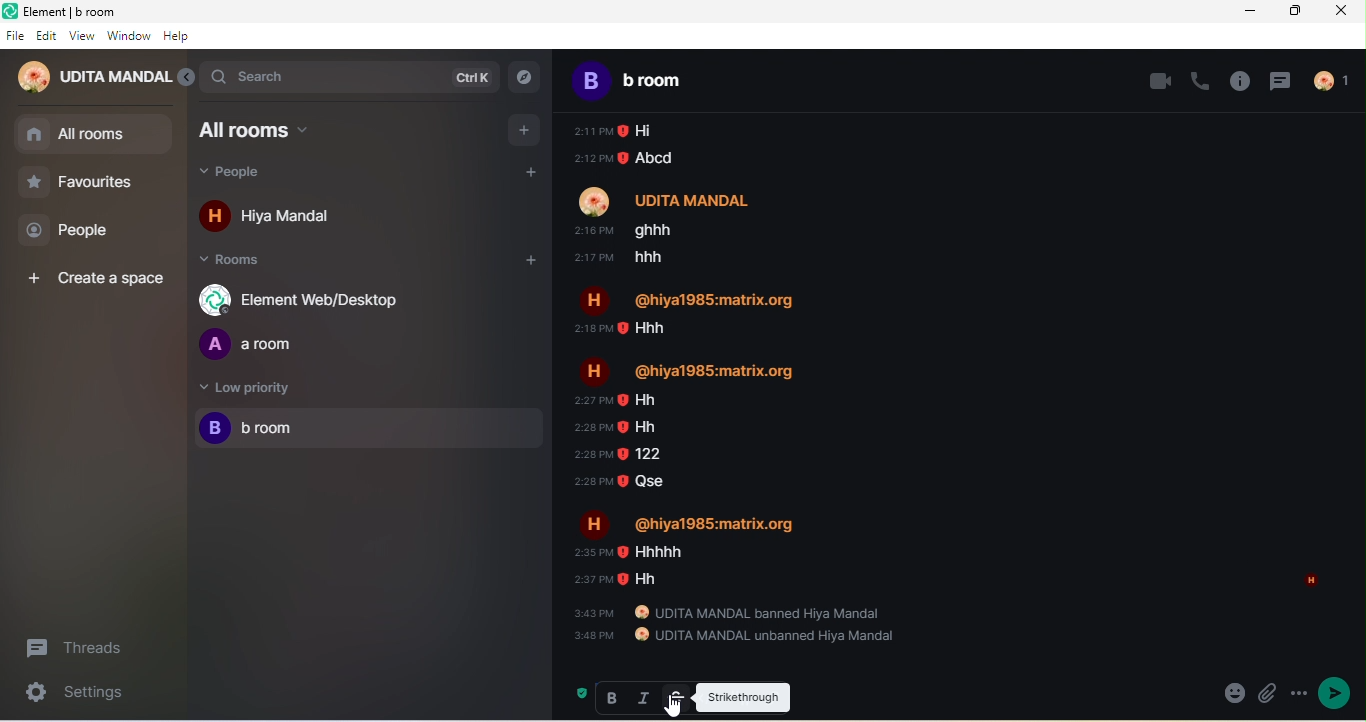 The image size is (1366, 722). Describe the element at coordinates (100, 279) in the screenshot. I see `create a space` at that location.